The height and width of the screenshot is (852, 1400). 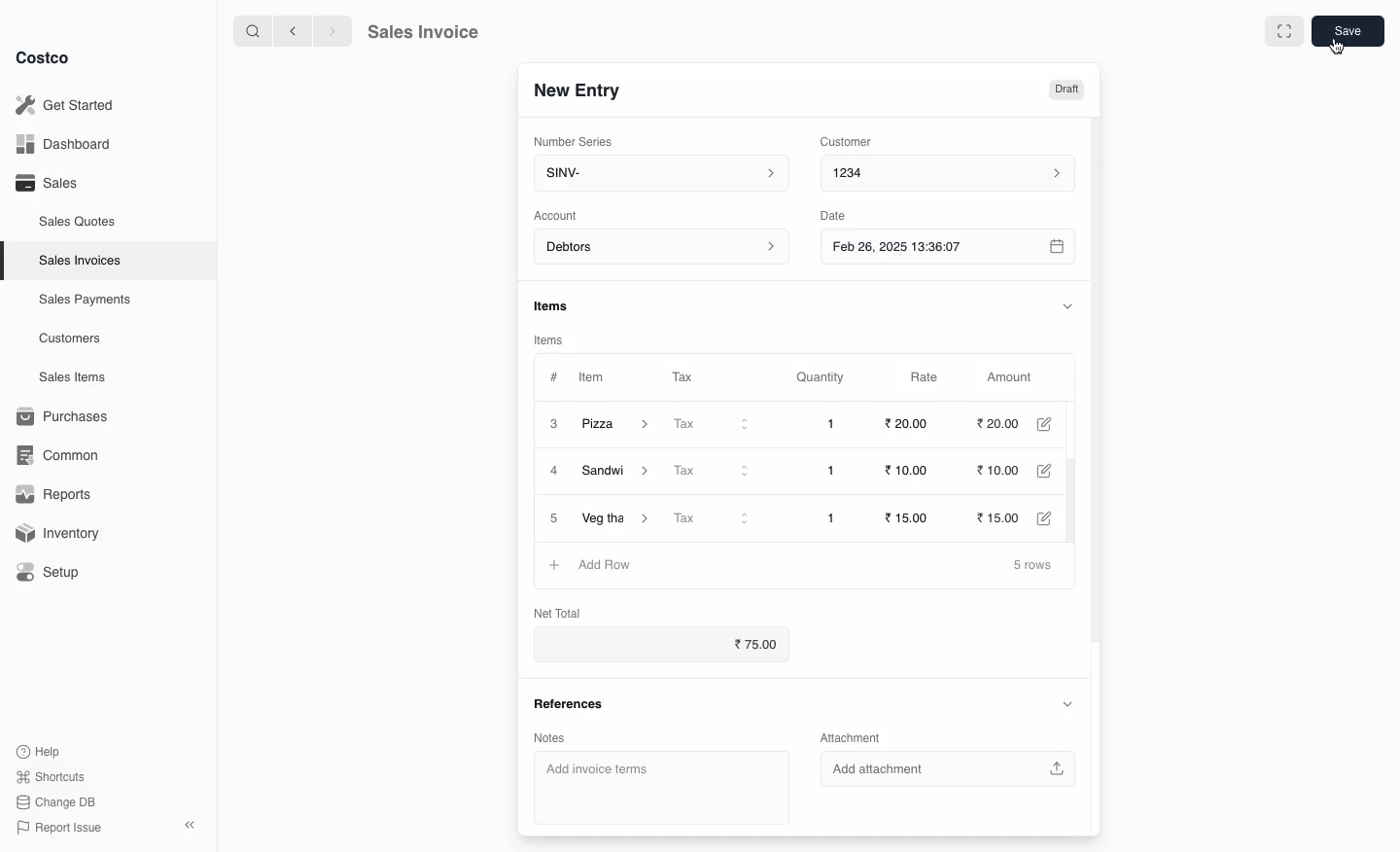 What do you see at coordinates (556, 611) in the screenshot?
I see `Net Total` at bounding box center [556, 611].